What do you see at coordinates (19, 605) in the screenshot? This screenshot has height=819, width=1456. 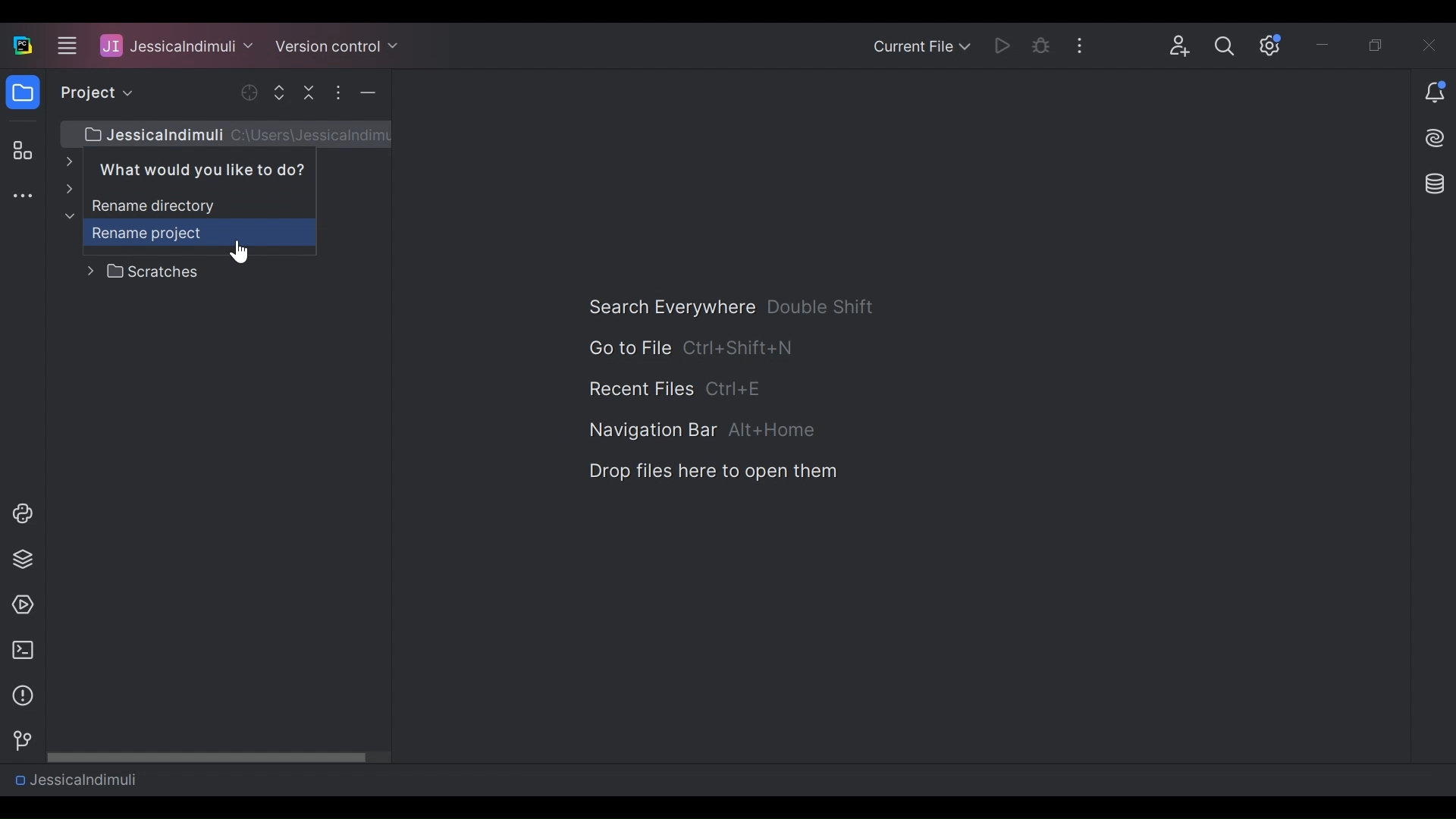 I see `run` at bounding box center [19, 605].